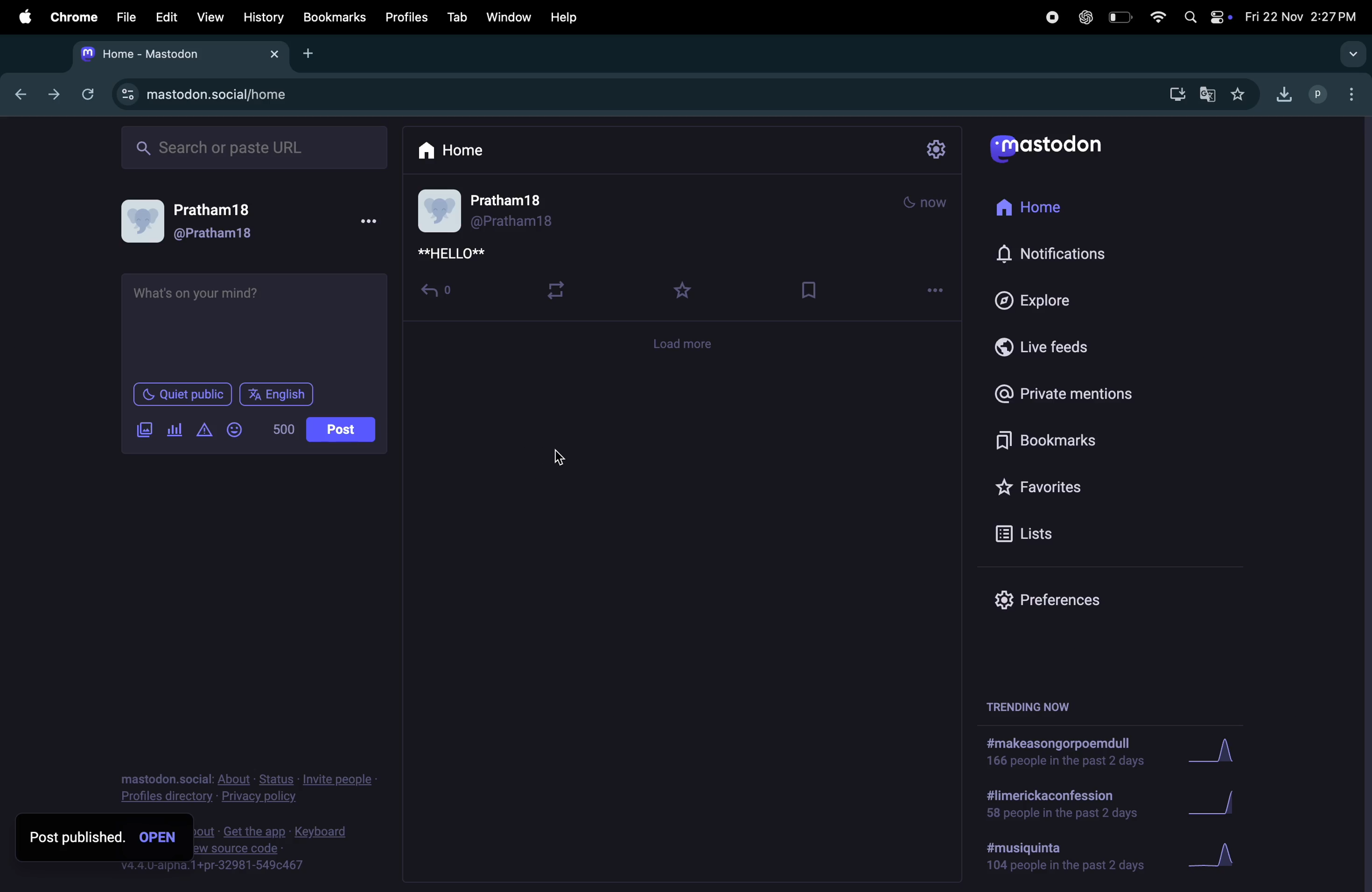 The height and width of the screenshot is (892, 1372). I want to click on edit, so click(167, 14).